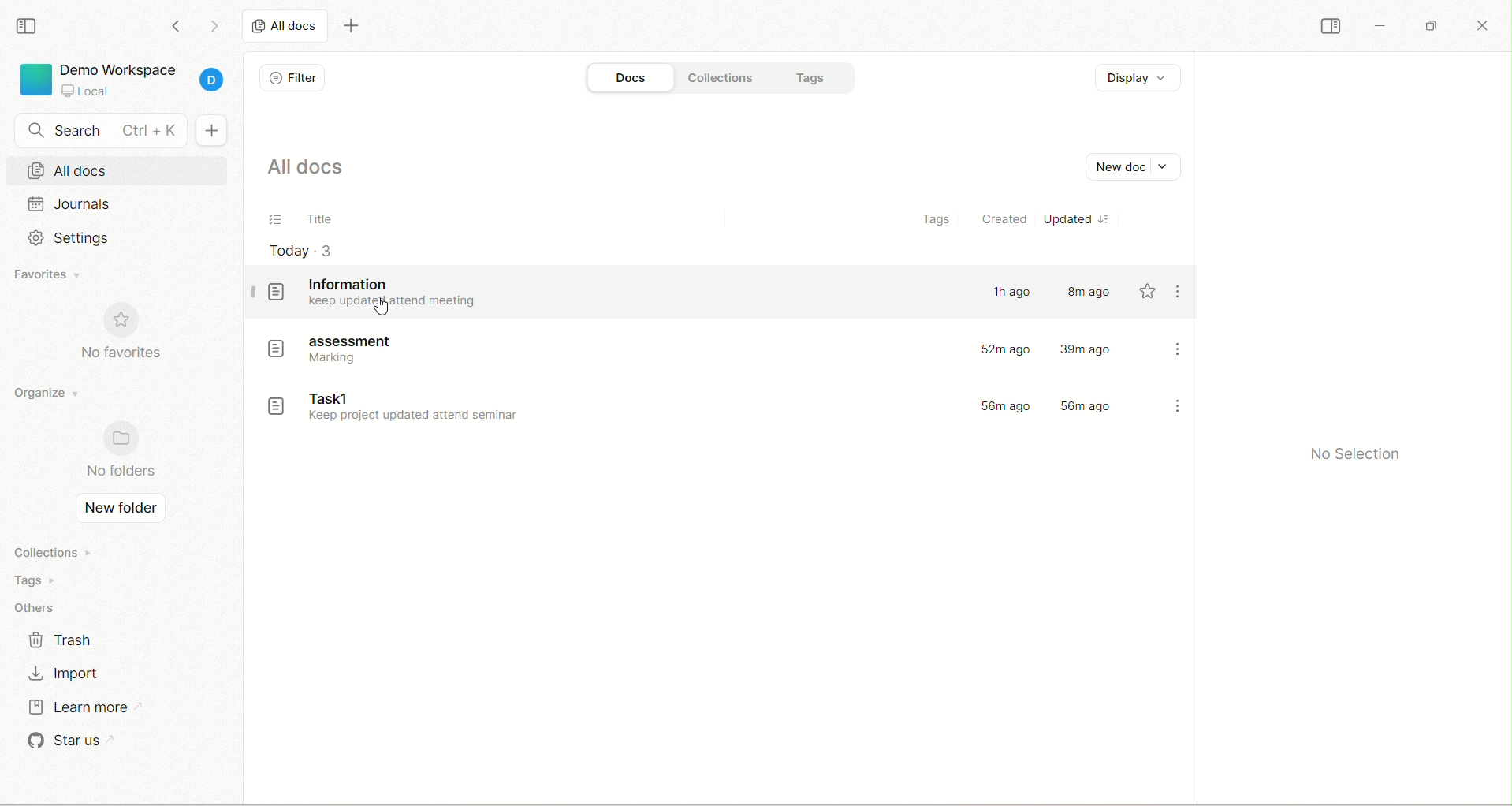 The image size is (1512, 806). What do you see at coordinates (1140, 80) in the screenshot?
I see `display` at bounding box center [1140, 80].